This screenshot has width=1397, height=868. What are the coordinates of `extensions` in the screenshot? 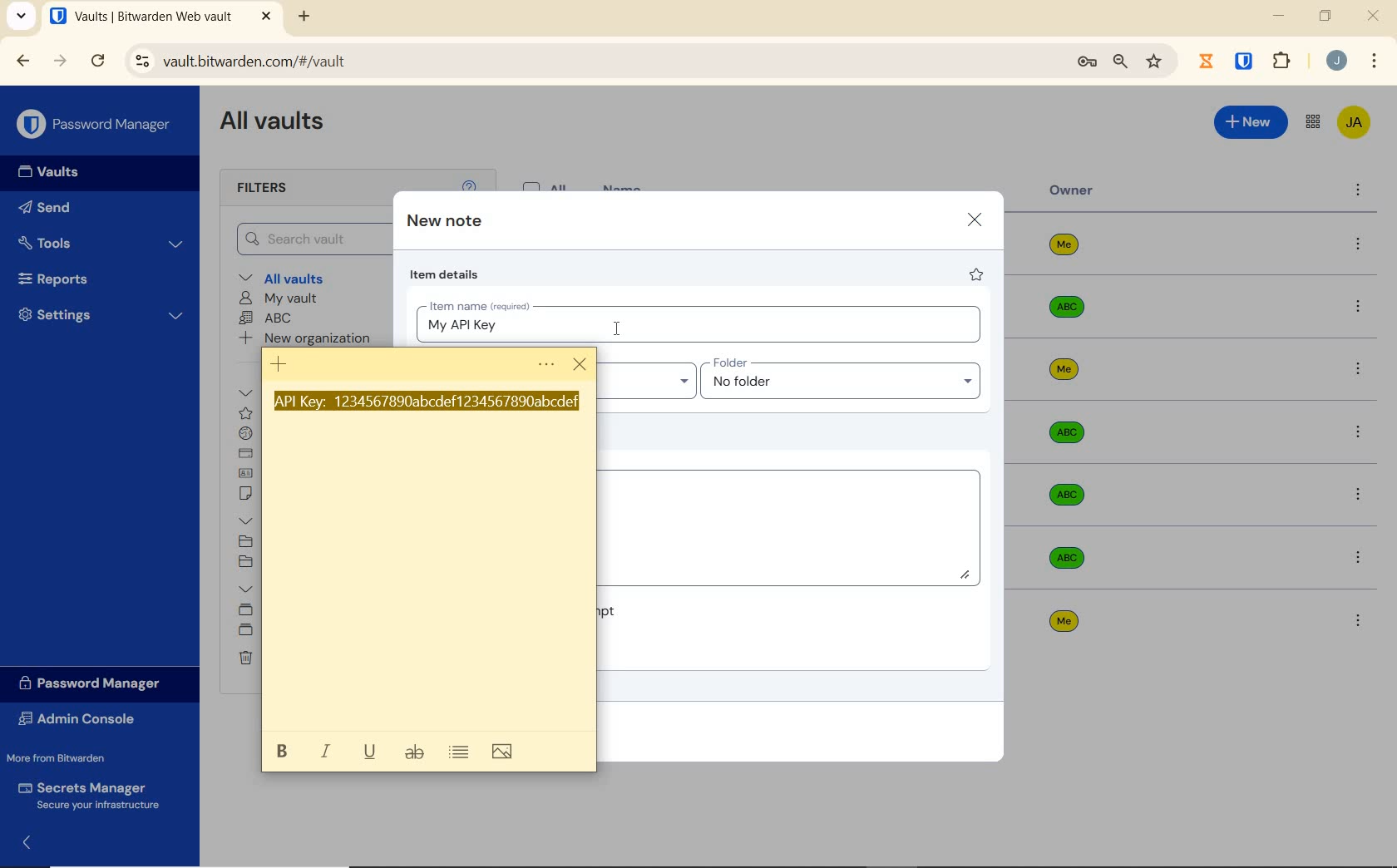 It's located at (1284, 60).